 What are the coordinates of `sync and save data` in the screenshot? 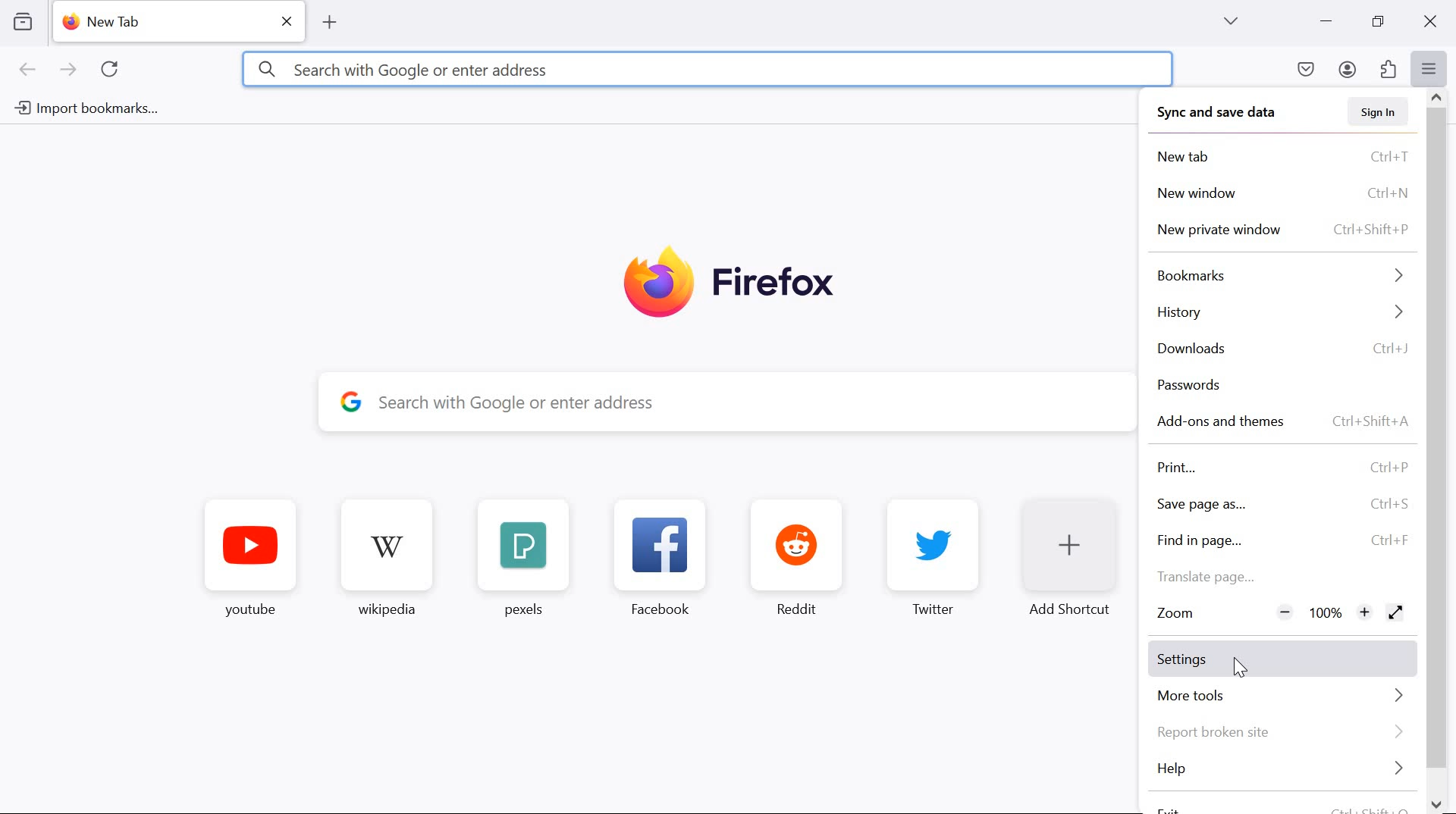 It's located at (1282, 114).